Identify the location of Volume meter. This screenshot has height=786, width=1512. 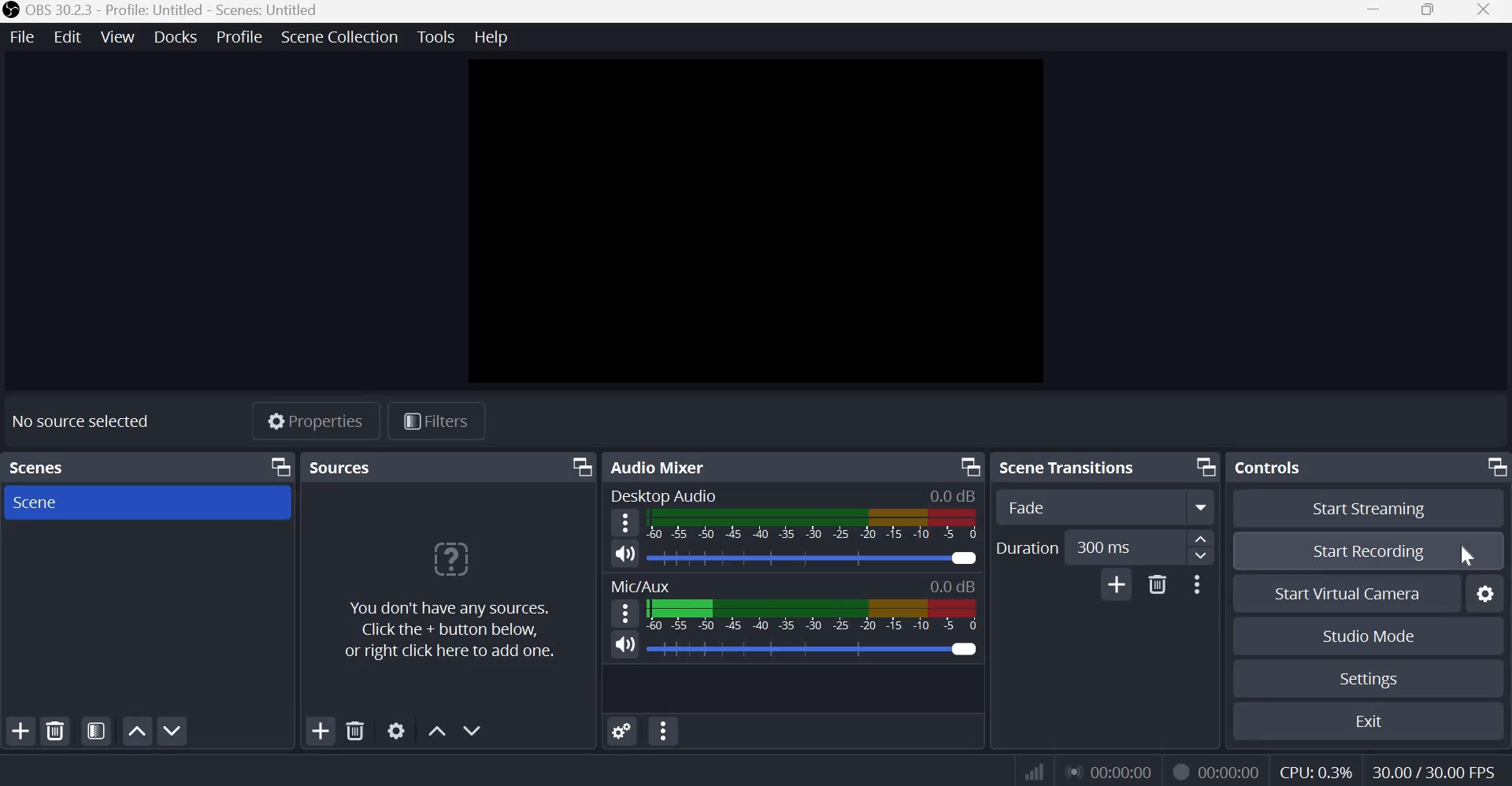
(817, 528).